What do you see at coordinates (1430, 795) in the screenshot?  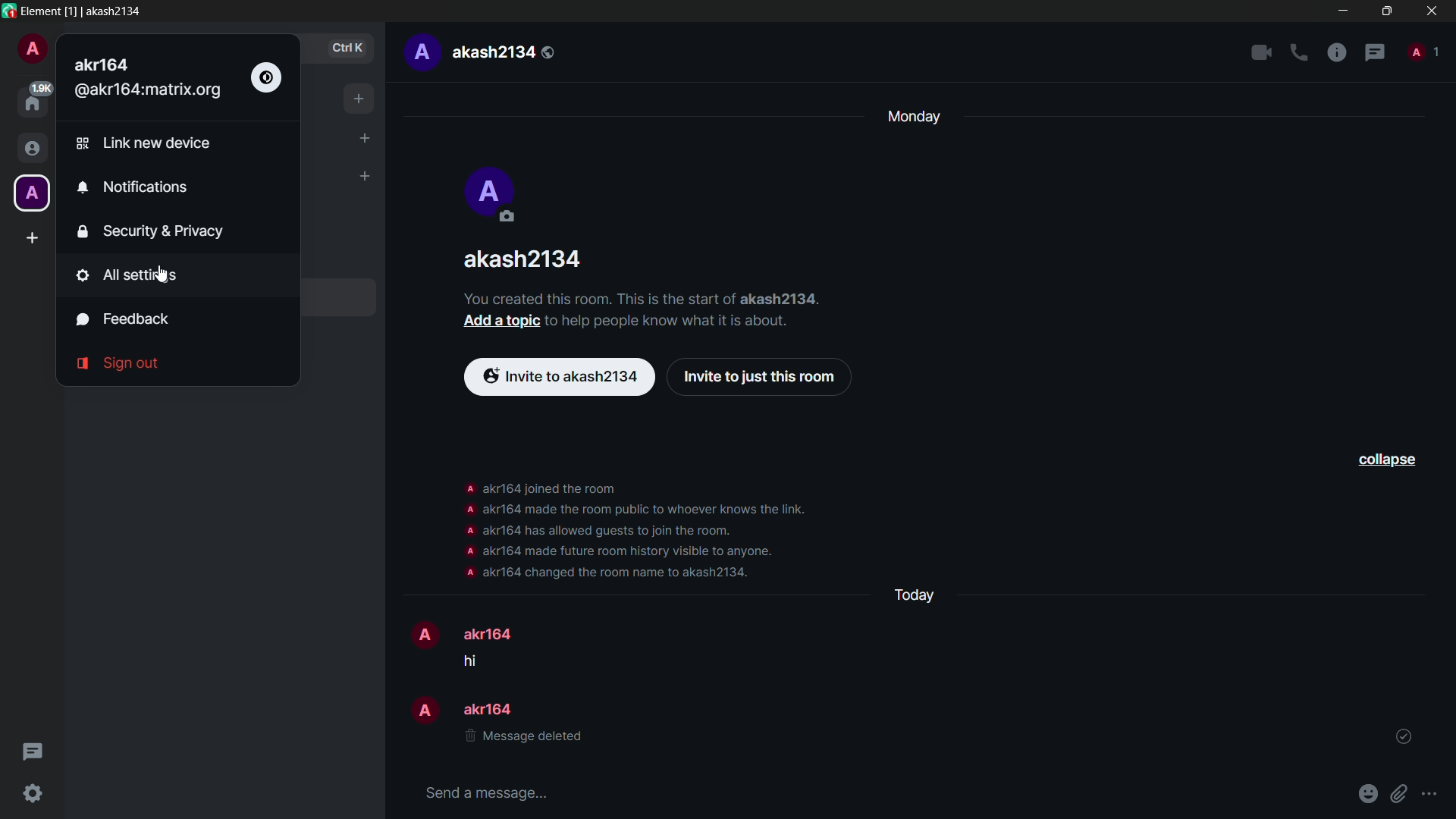 I see `more options` at bounding box center [1430, 795].